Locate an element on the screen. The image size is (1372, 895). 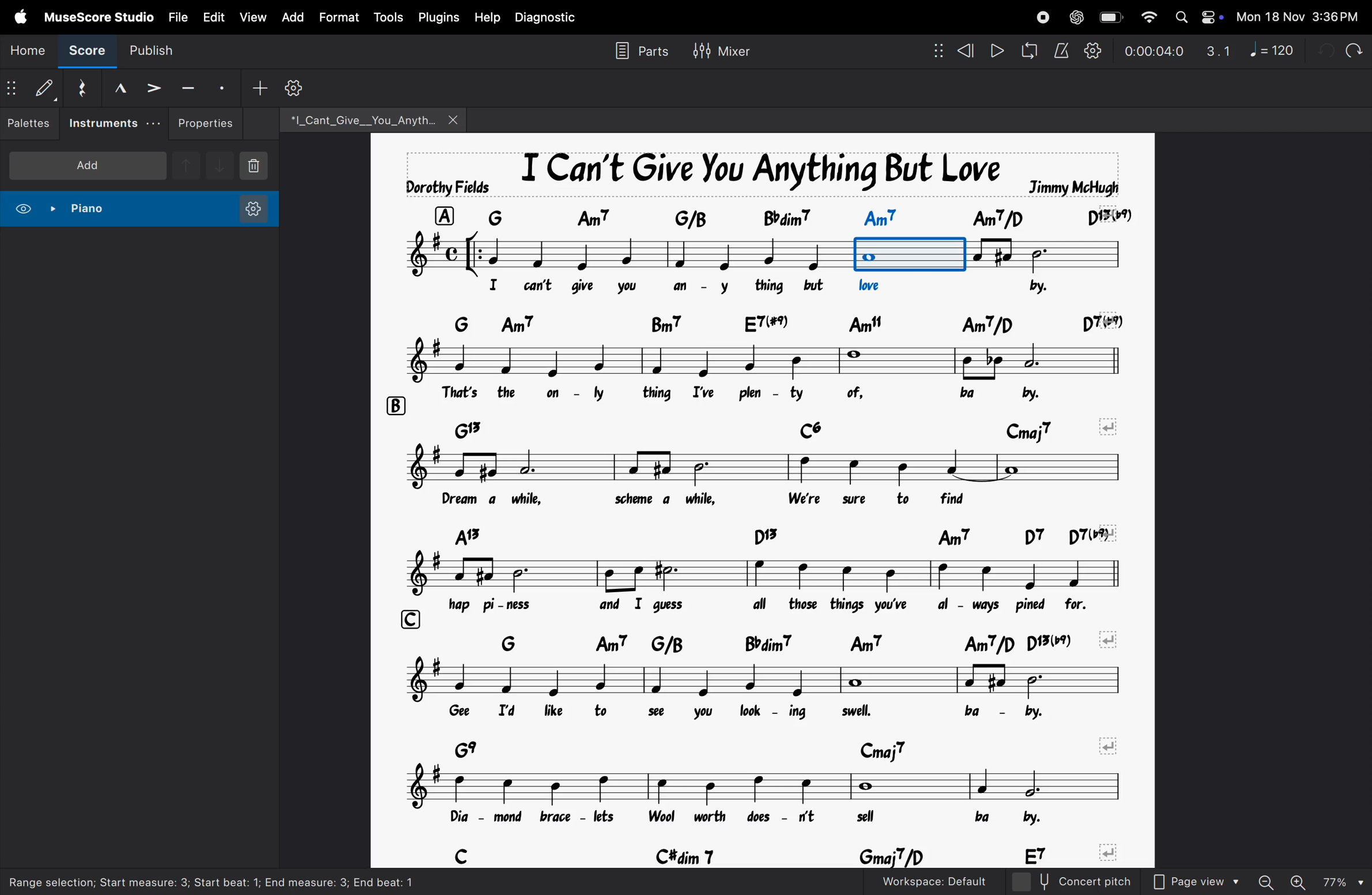
stacato is located at coordinates (221, 88).